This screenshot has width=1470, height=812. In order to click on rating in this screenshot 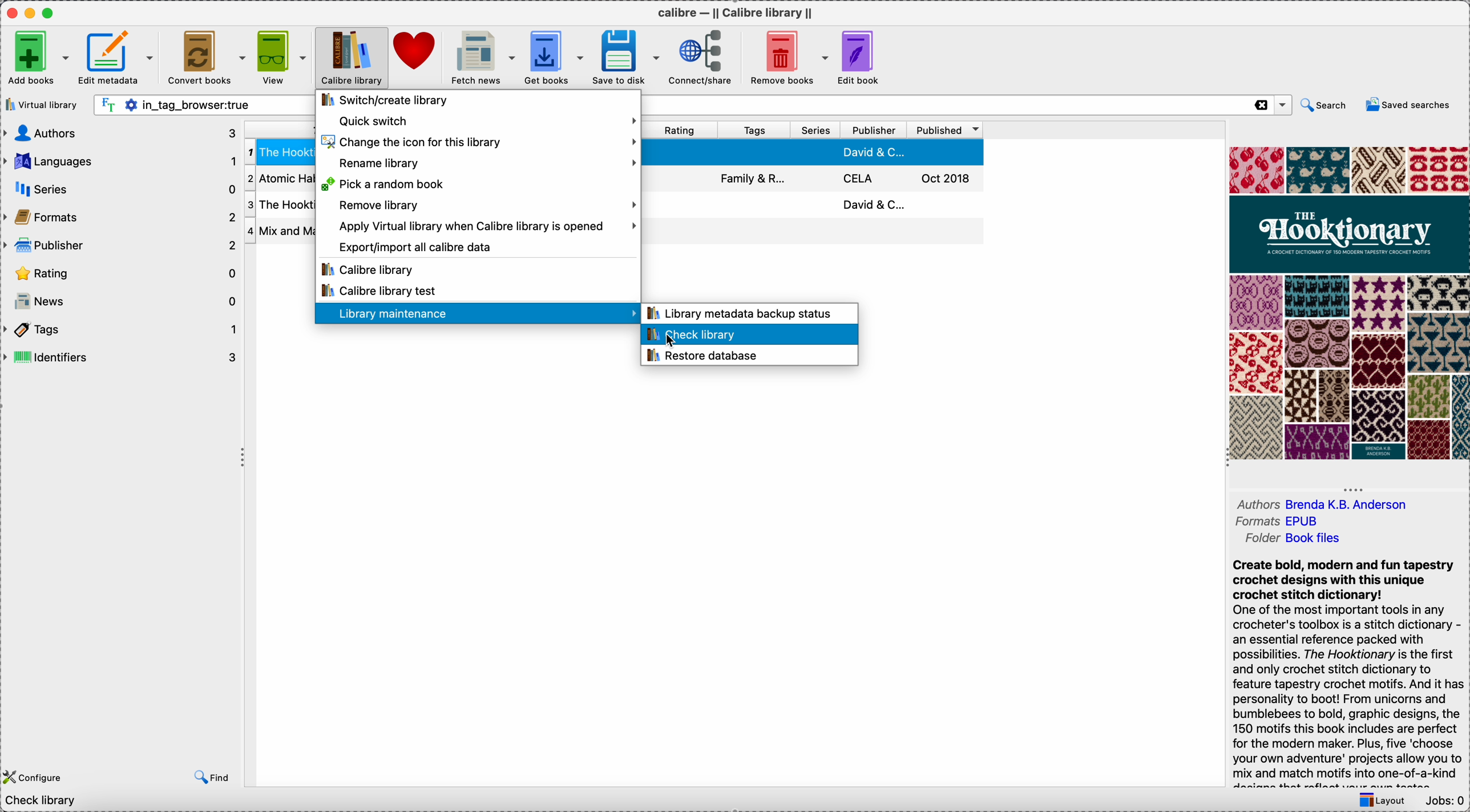, I will do `click(120, 273)`.